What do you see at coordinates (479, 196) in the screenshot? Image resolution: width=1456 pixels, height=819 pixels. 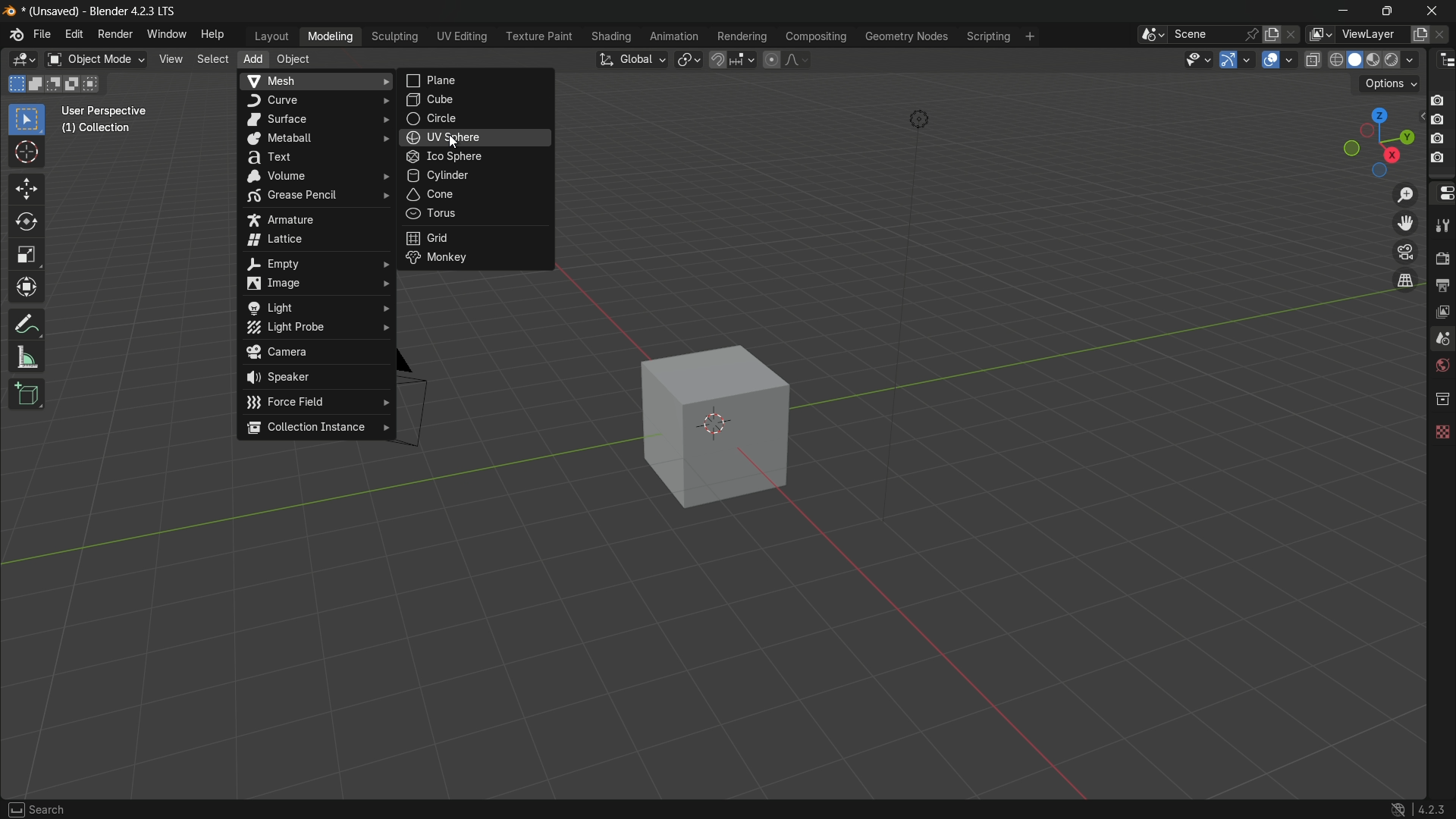 I see `cone` at bounding box center [479, 196].